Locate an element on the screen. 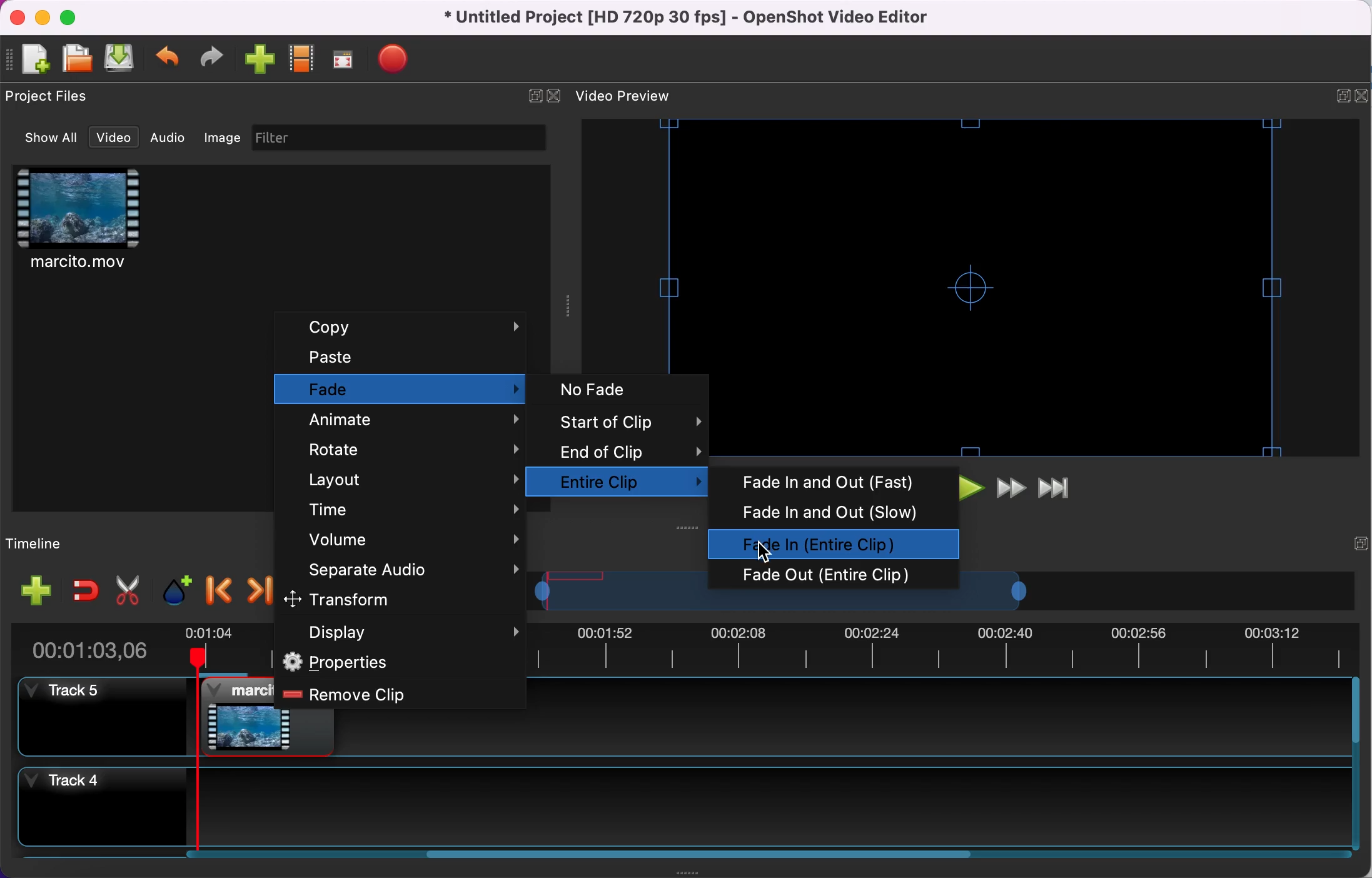 Image resolution: width=1372 pixels, height=878 pixels. filter is located at coordinates (402, 138).